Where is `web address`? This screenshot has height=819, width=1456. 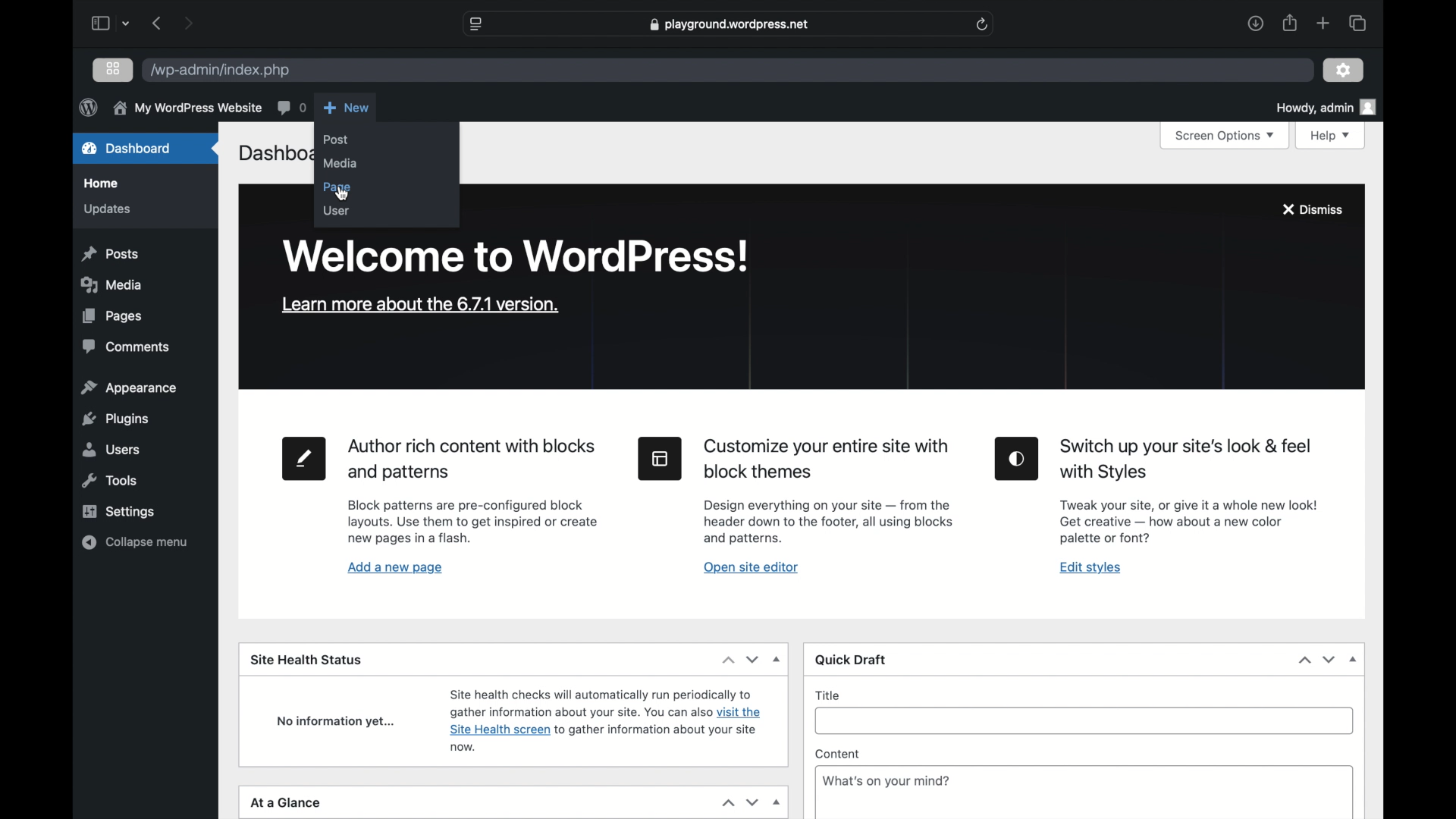
web address is located at coordinates (728, 25).